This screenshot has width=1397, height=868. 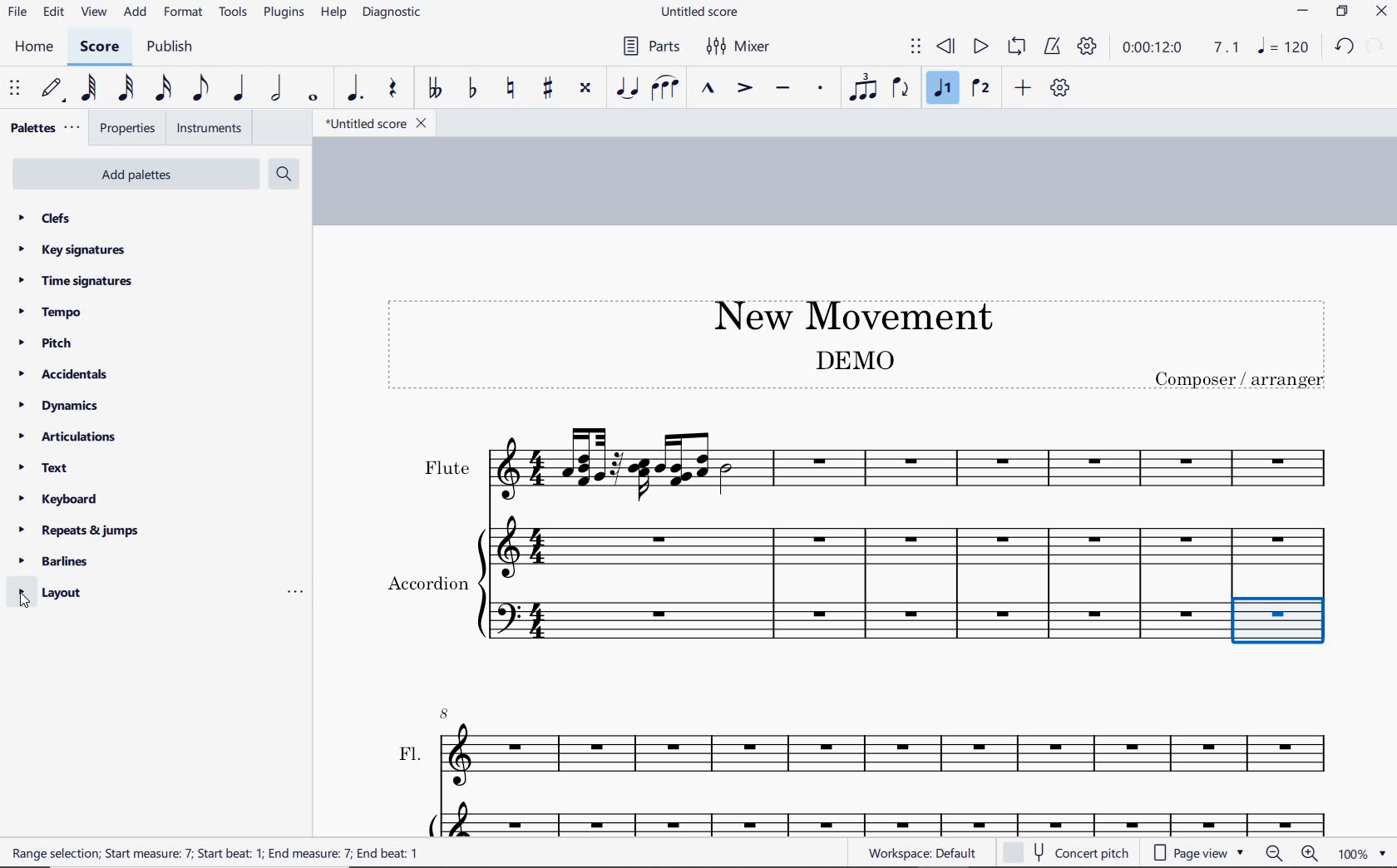 I want to click on format, so click(x=185, y=12).